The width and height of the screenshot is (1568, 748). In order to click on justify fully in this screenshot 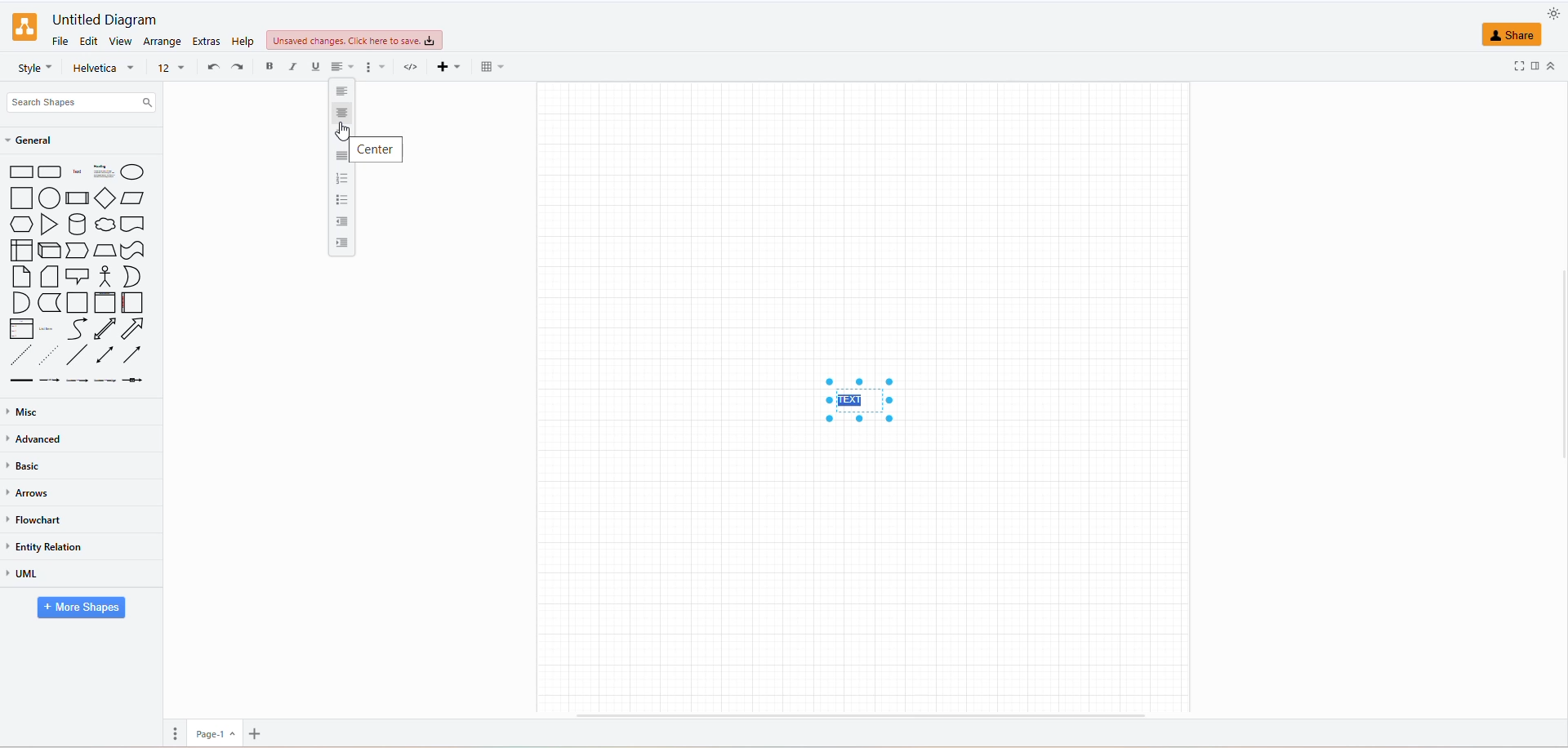, I will do `click(341, 157)`.